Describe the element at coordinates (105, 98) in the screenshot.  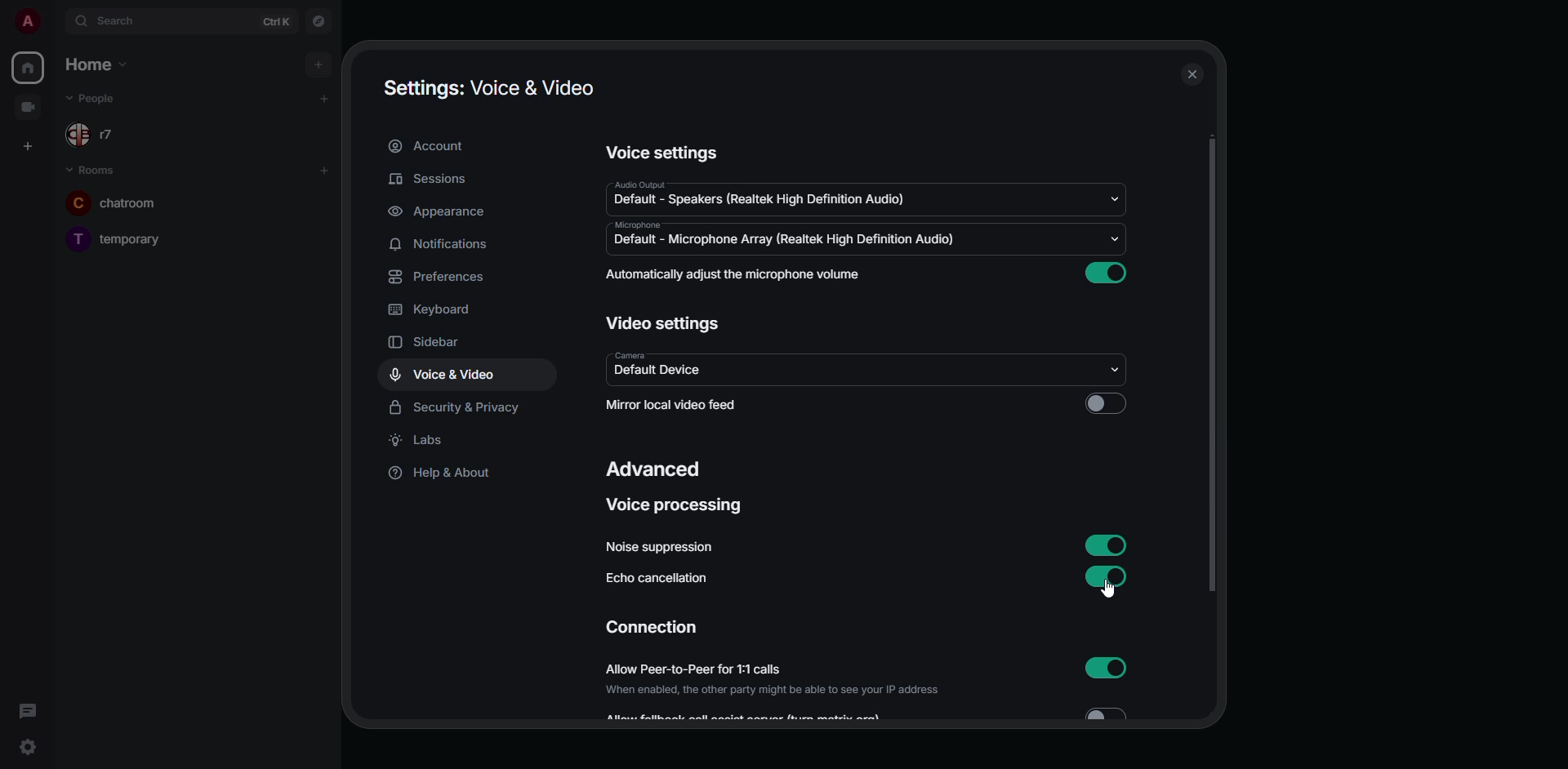
I see `people` at that location.